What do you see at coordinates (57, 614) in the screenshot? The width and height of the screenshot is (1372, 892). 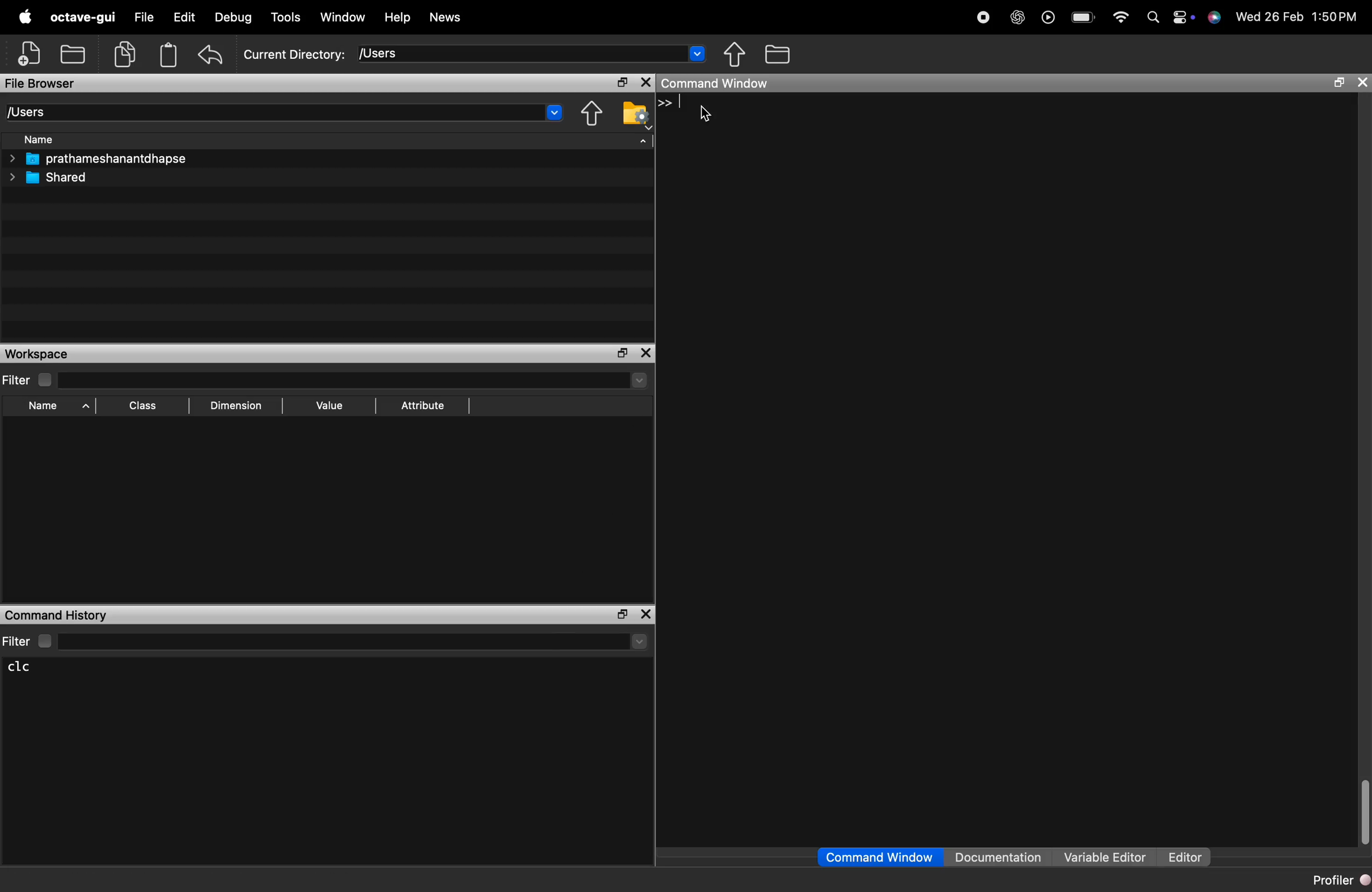 I see `Command History` at bounding box center [57, 614].